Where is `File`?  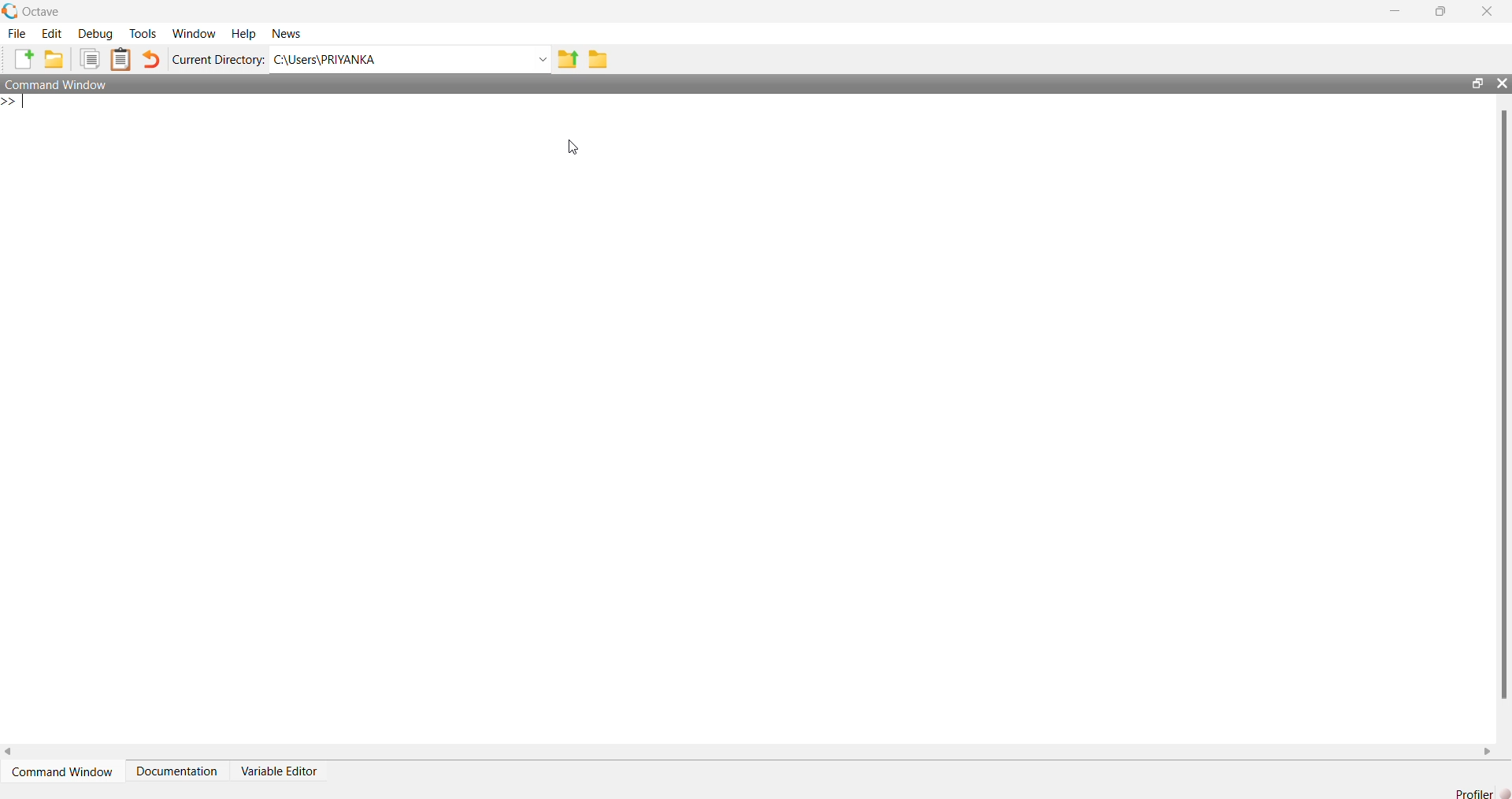 File is located at coordinates (18, 33).